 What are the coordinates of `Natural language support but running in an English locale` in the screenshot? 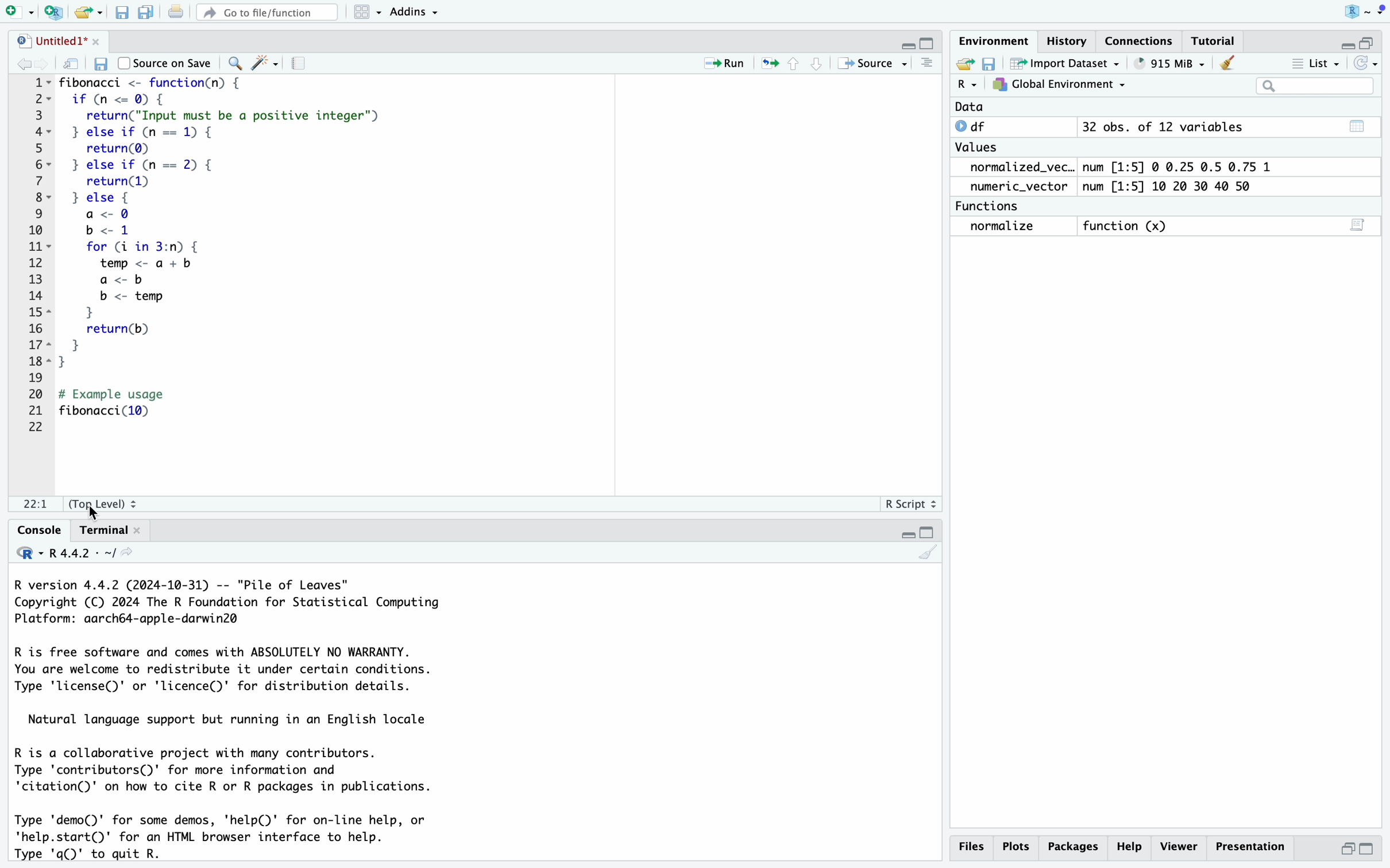 It's located at (237, 720).